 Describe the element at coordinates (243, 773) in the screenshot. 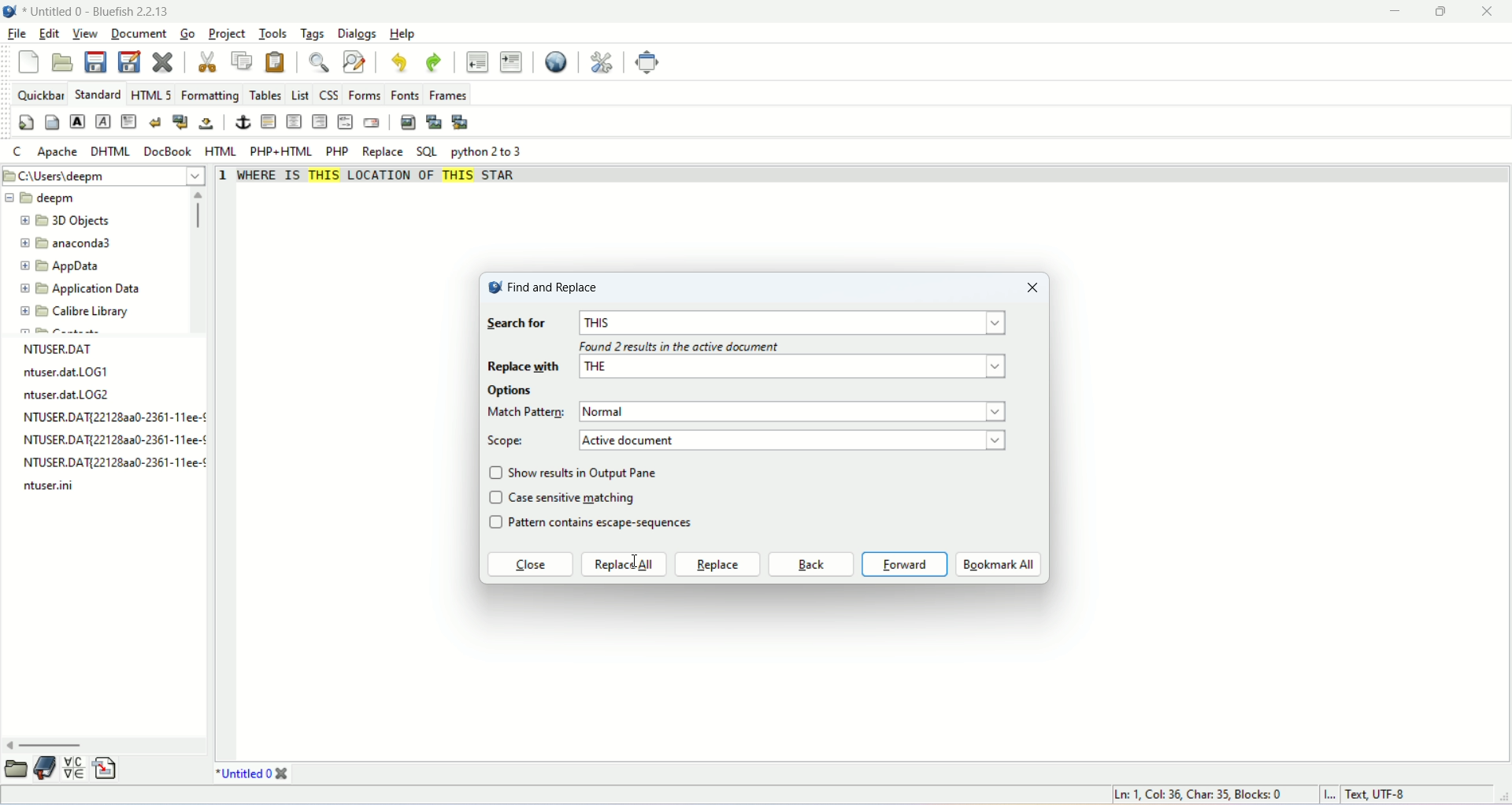

I see `Untitled` at that location.